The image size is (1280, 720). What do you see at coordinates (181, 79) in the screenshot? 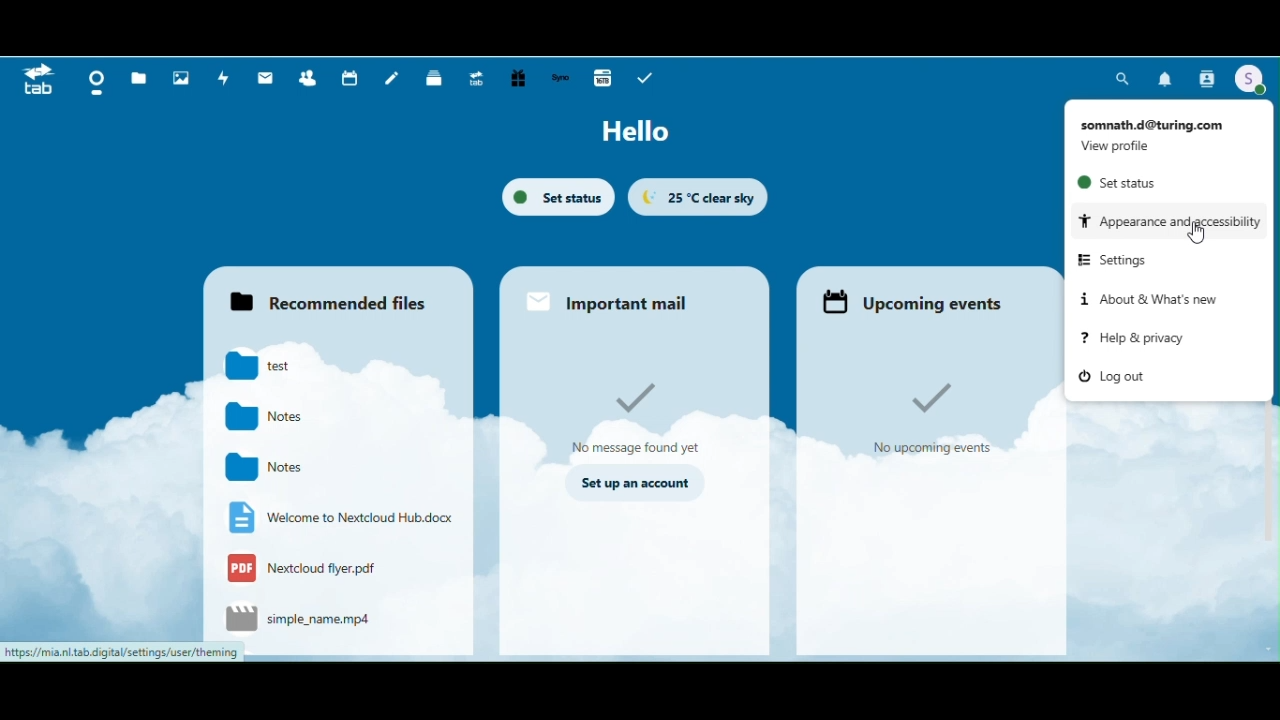
I see `Photos` at bounding box center [181, 79].